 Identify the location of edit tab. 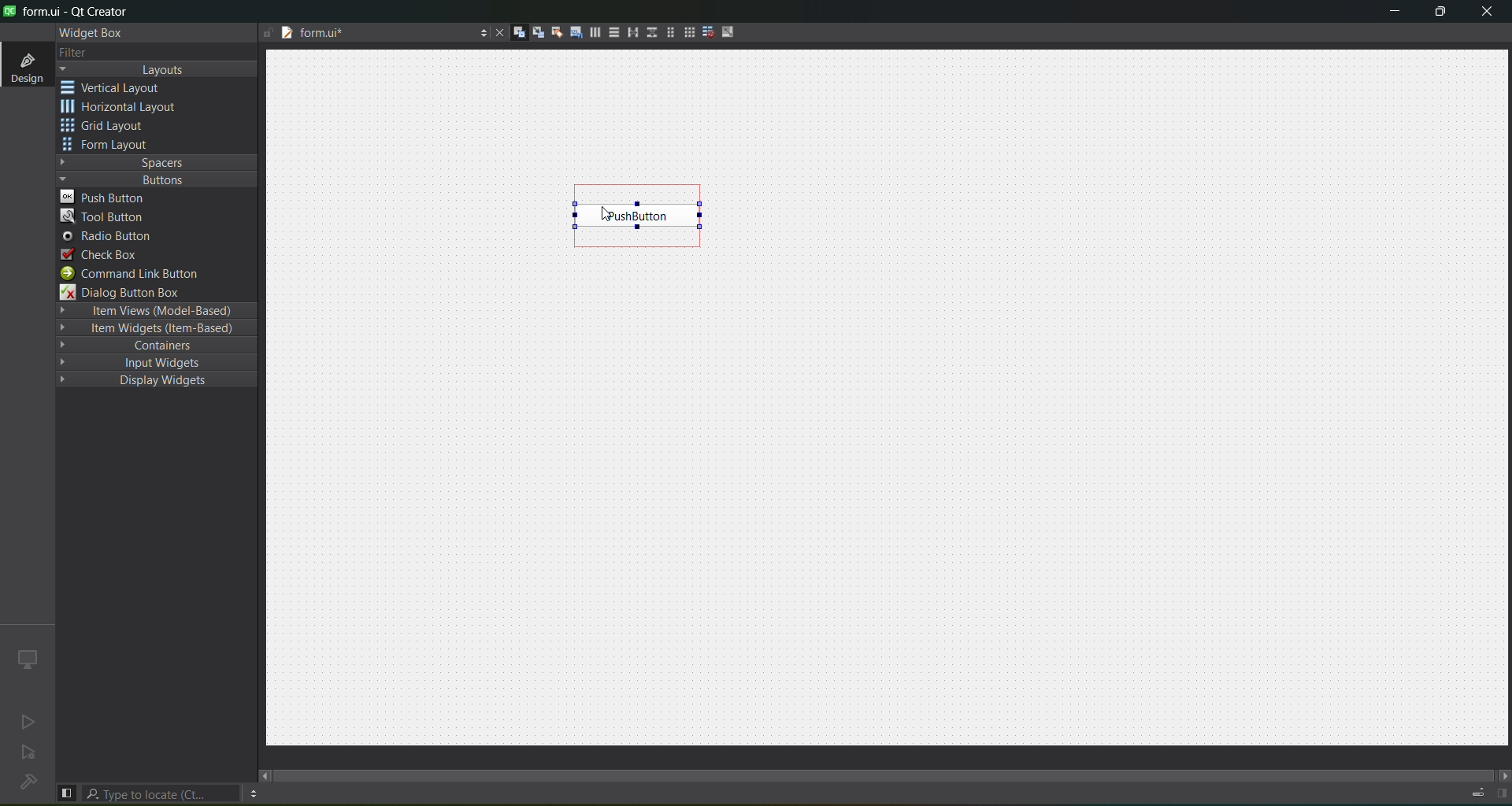
(576, 35).